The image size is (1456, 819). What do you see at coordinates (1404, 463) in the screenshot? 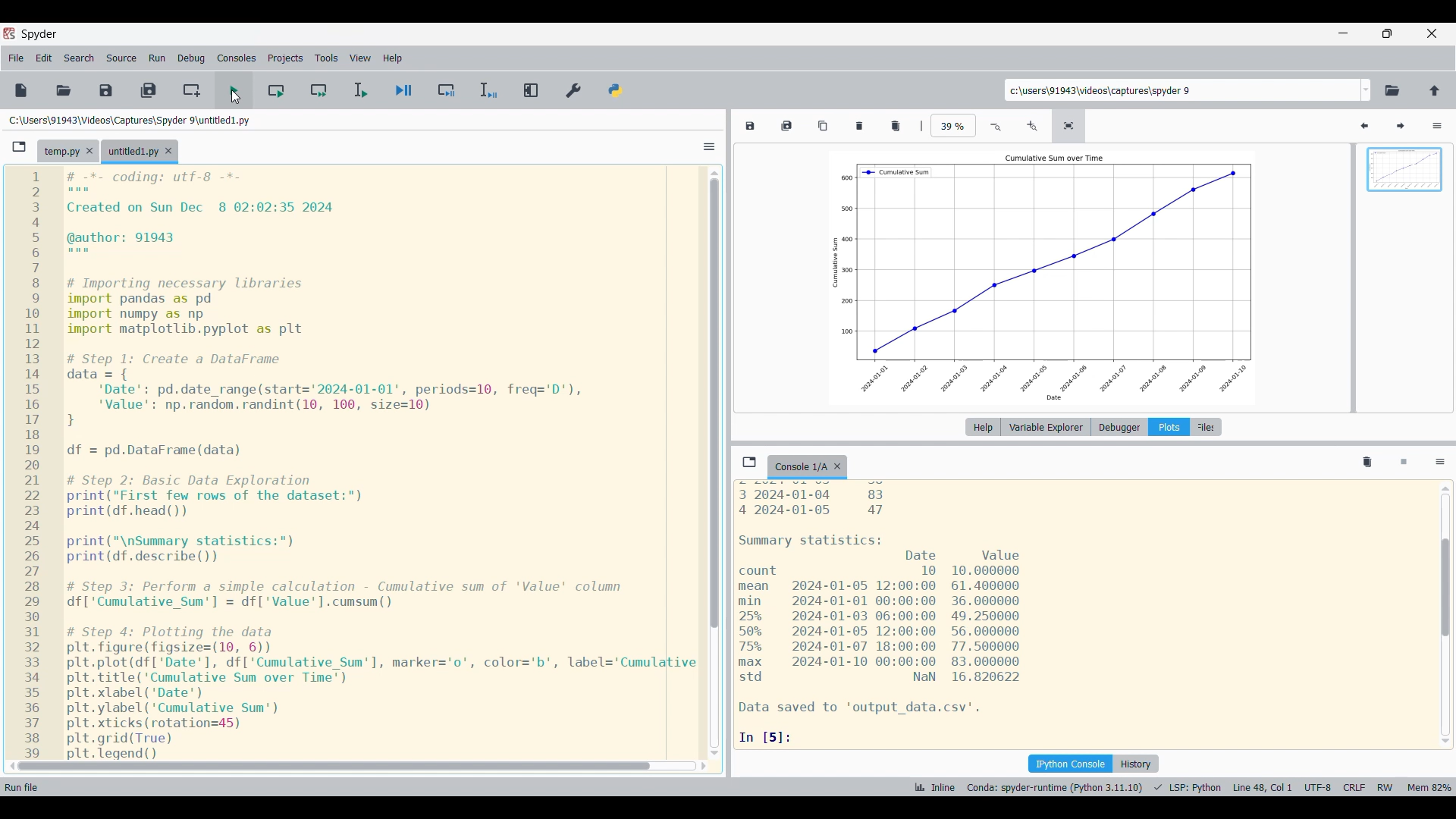
I see `Interrupt kernel` at bounding box center [1404, 463].